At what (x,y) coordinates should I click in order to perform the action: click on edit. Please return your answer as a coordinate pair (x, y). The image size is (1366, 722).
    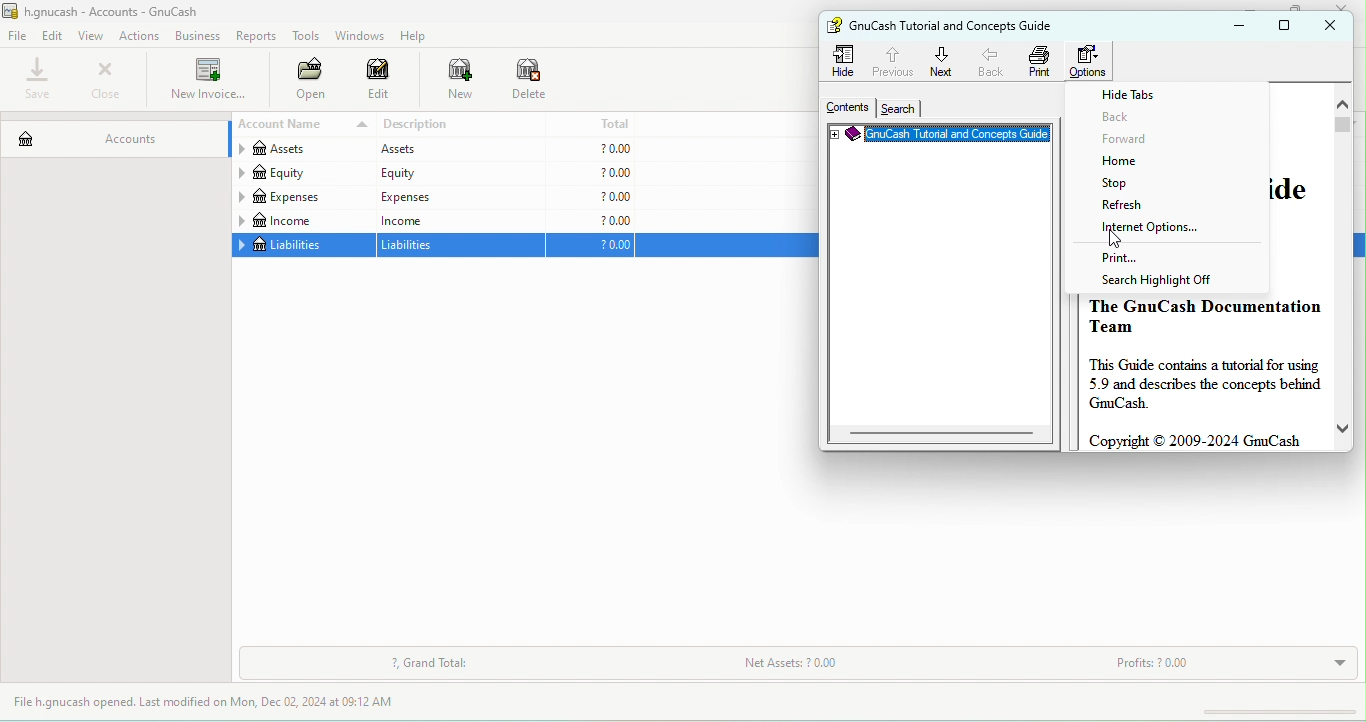
    Looking at the image, I should click on (379, 82).